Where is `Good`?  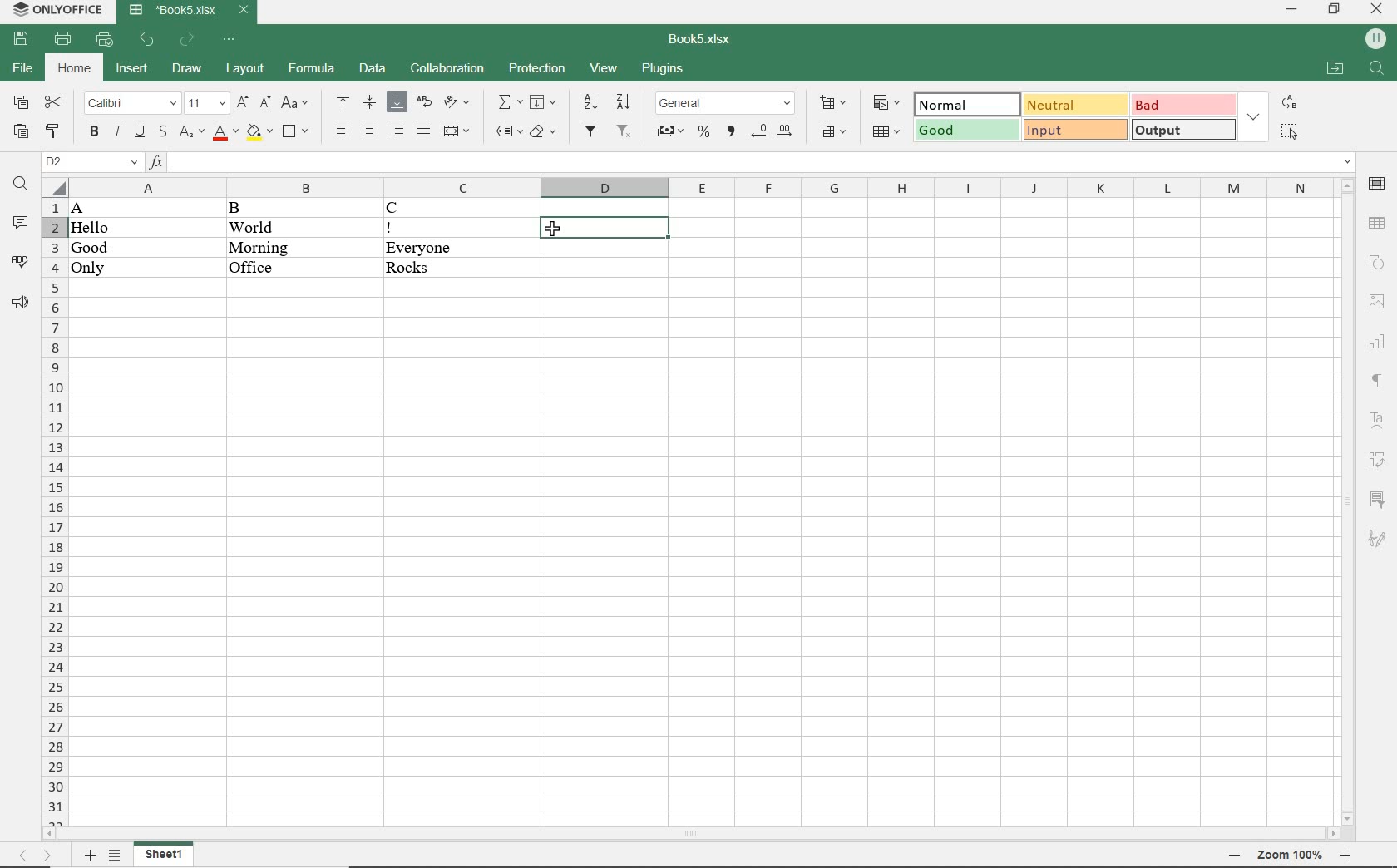
Good is located at coordinates (90, 248).